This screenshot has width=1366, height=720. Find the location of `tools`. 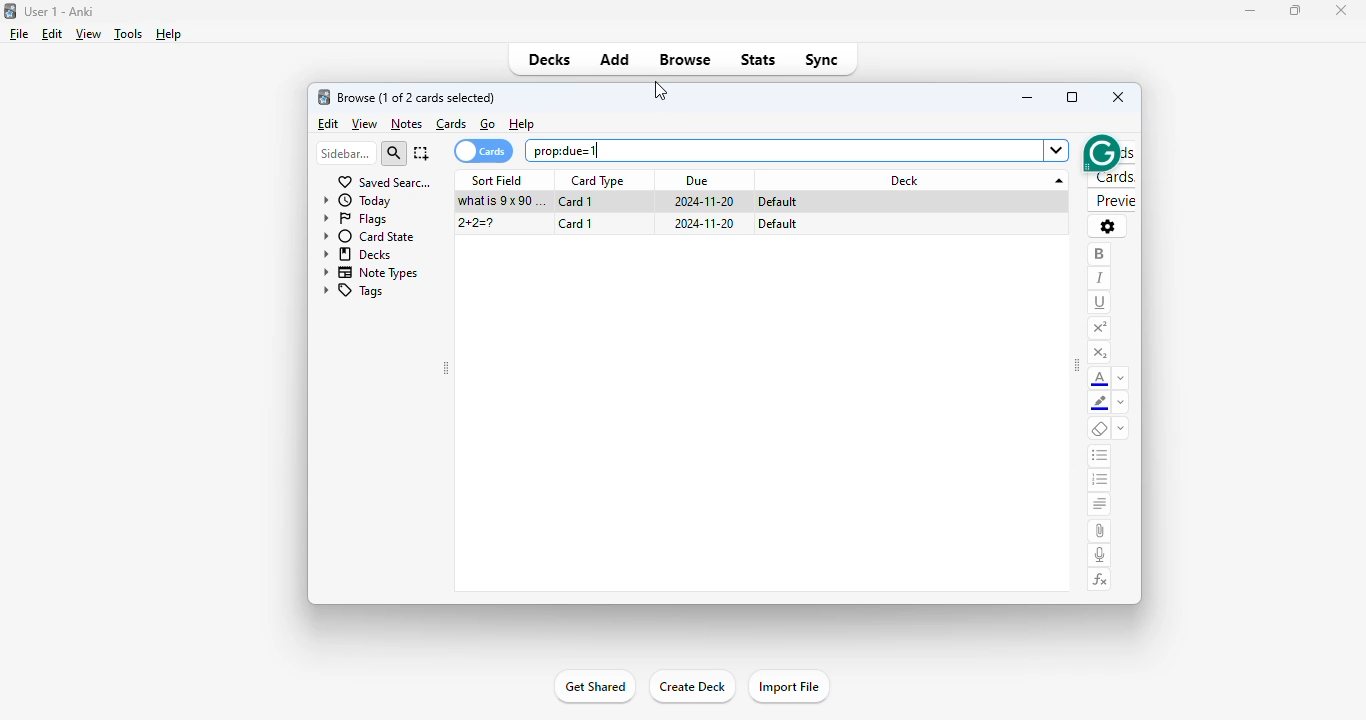

tools is located at coordinates (128, 33).